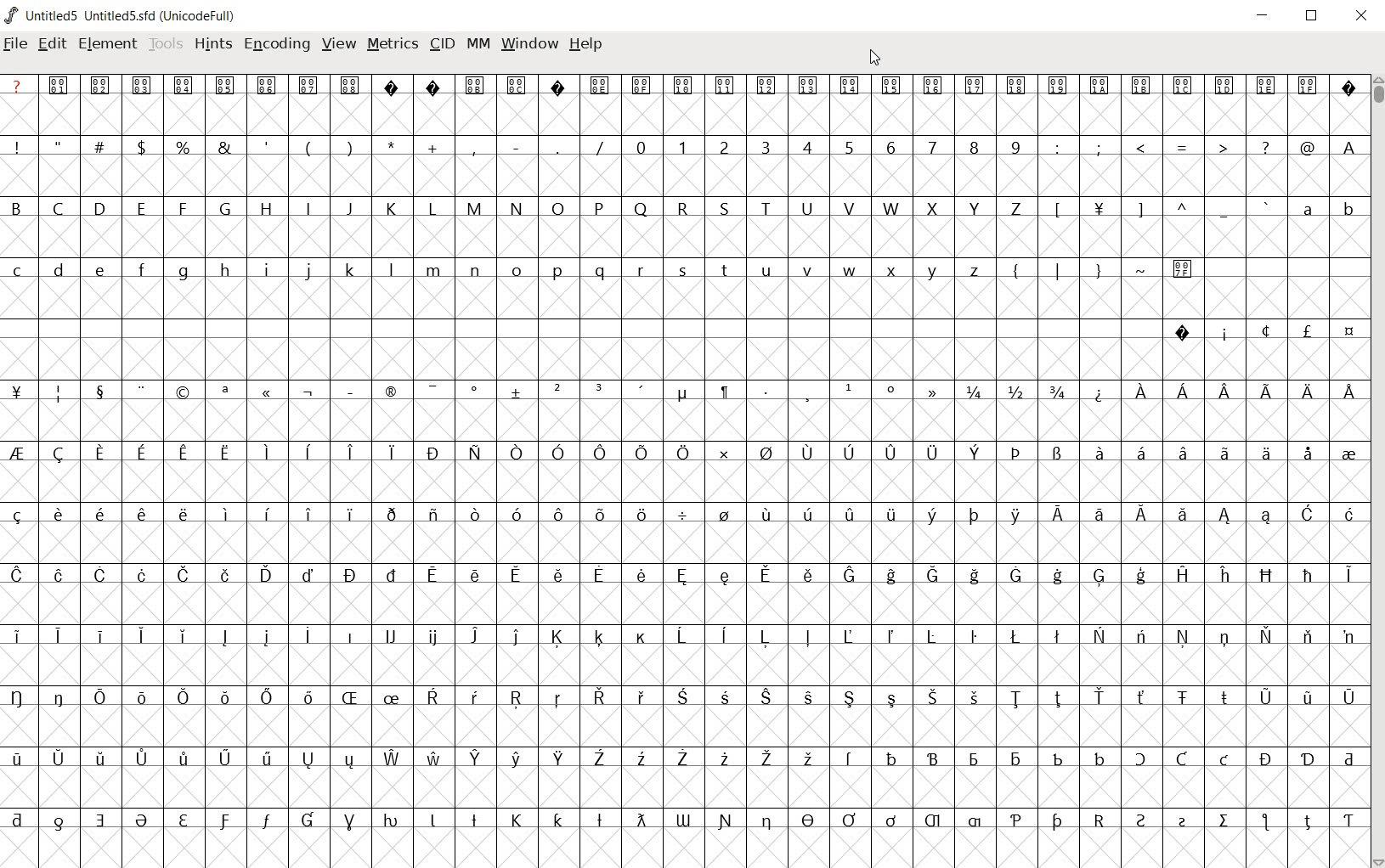  I want to click on logo, so click(12, 14).